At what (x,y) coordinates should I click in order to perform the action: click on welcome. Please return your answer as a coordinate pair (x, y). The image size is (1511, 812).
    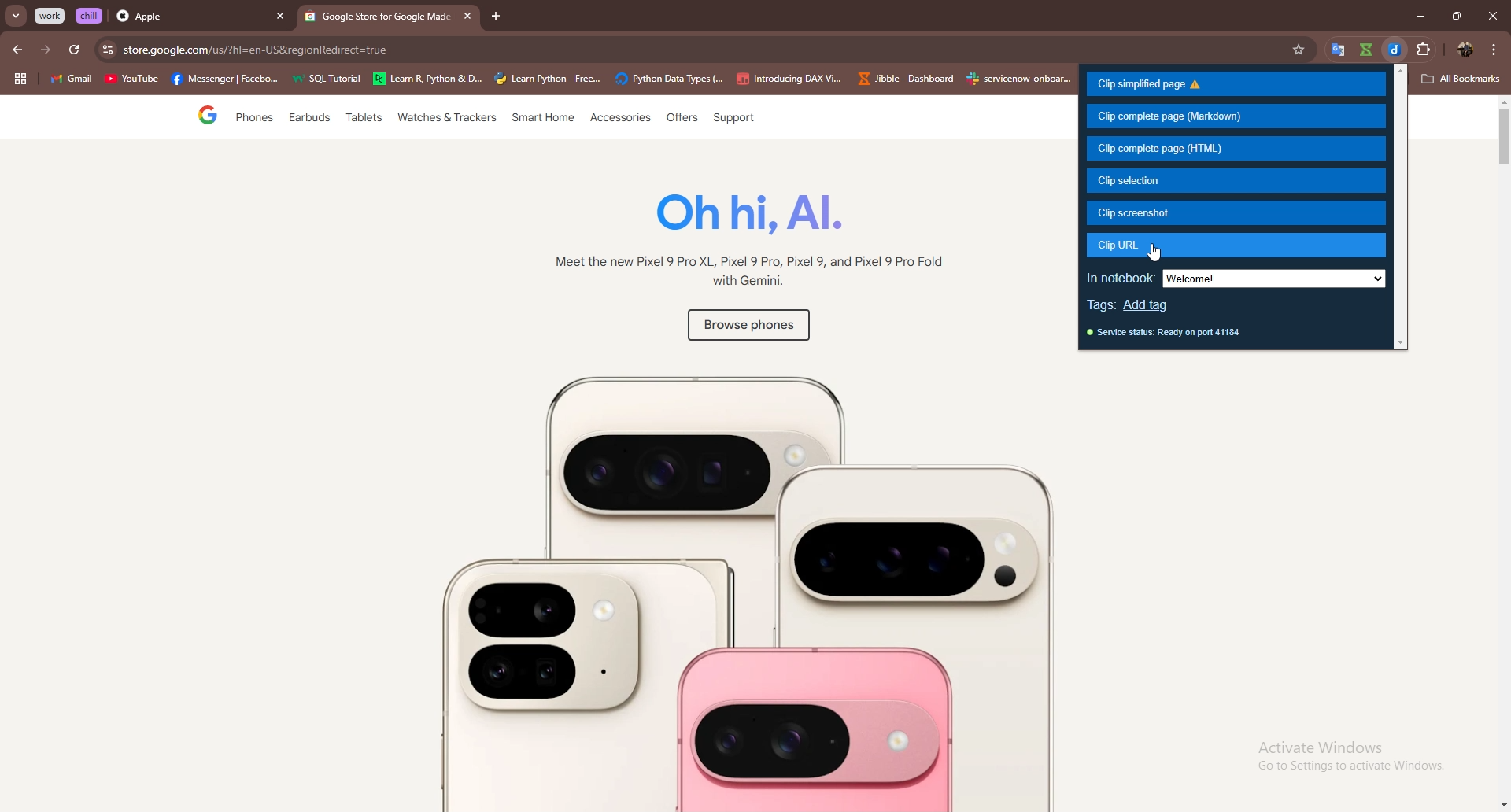
    Looking at the image, I should click on (1278, 280).